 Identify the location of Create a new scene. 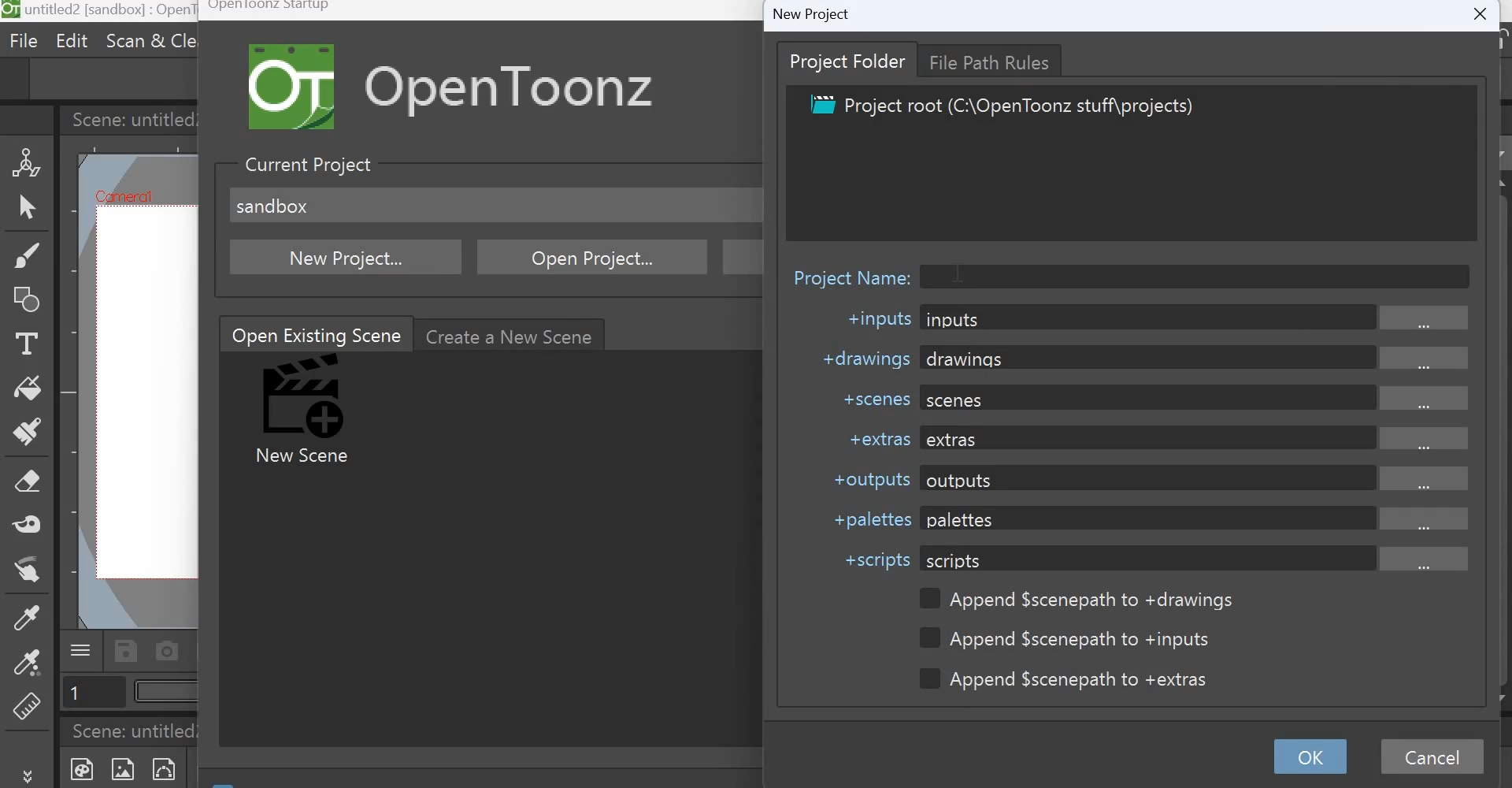
(513, 334).